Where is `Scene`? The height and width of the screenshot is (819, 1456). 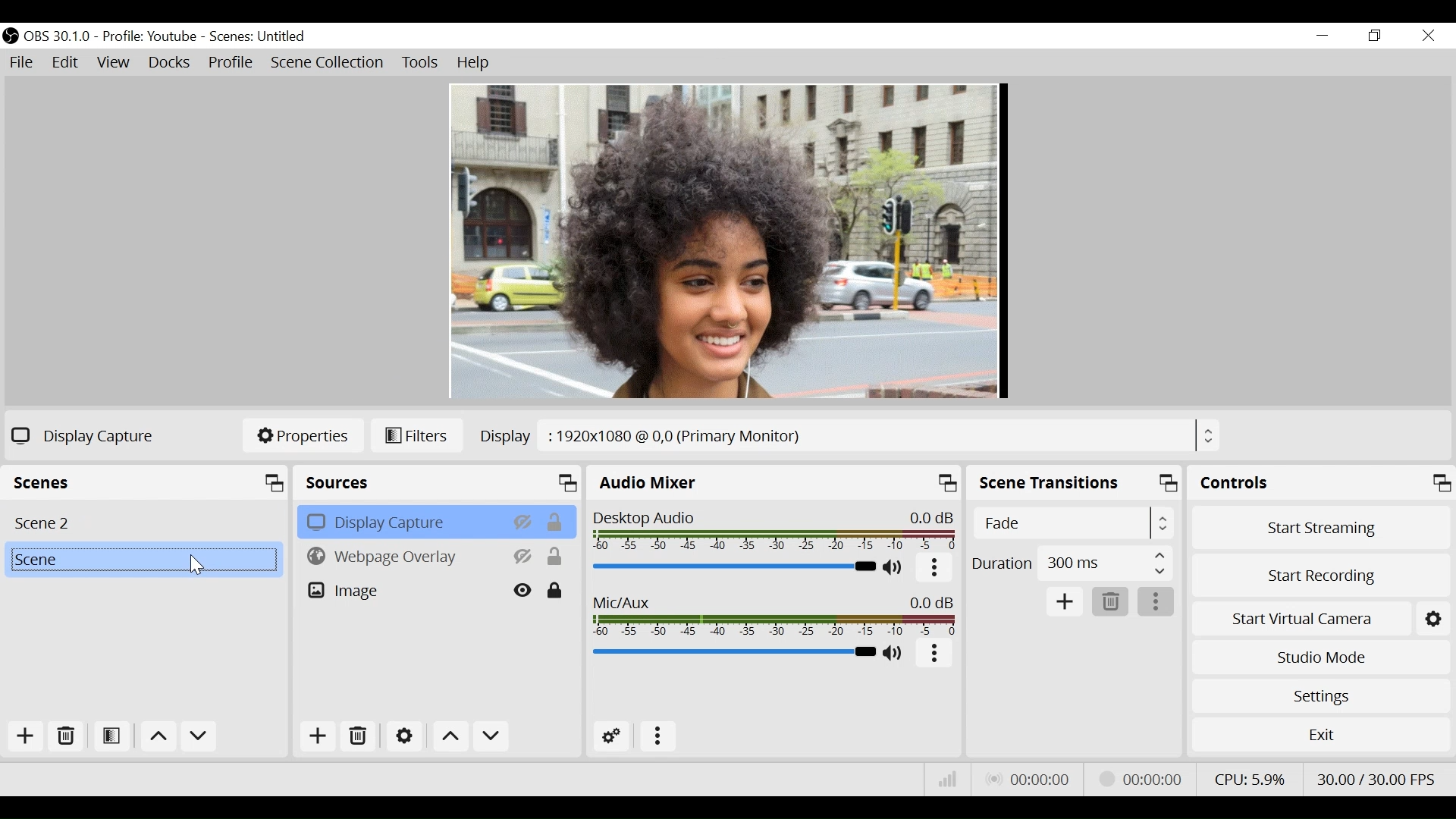 Scene is located at coordinates (143, 560).